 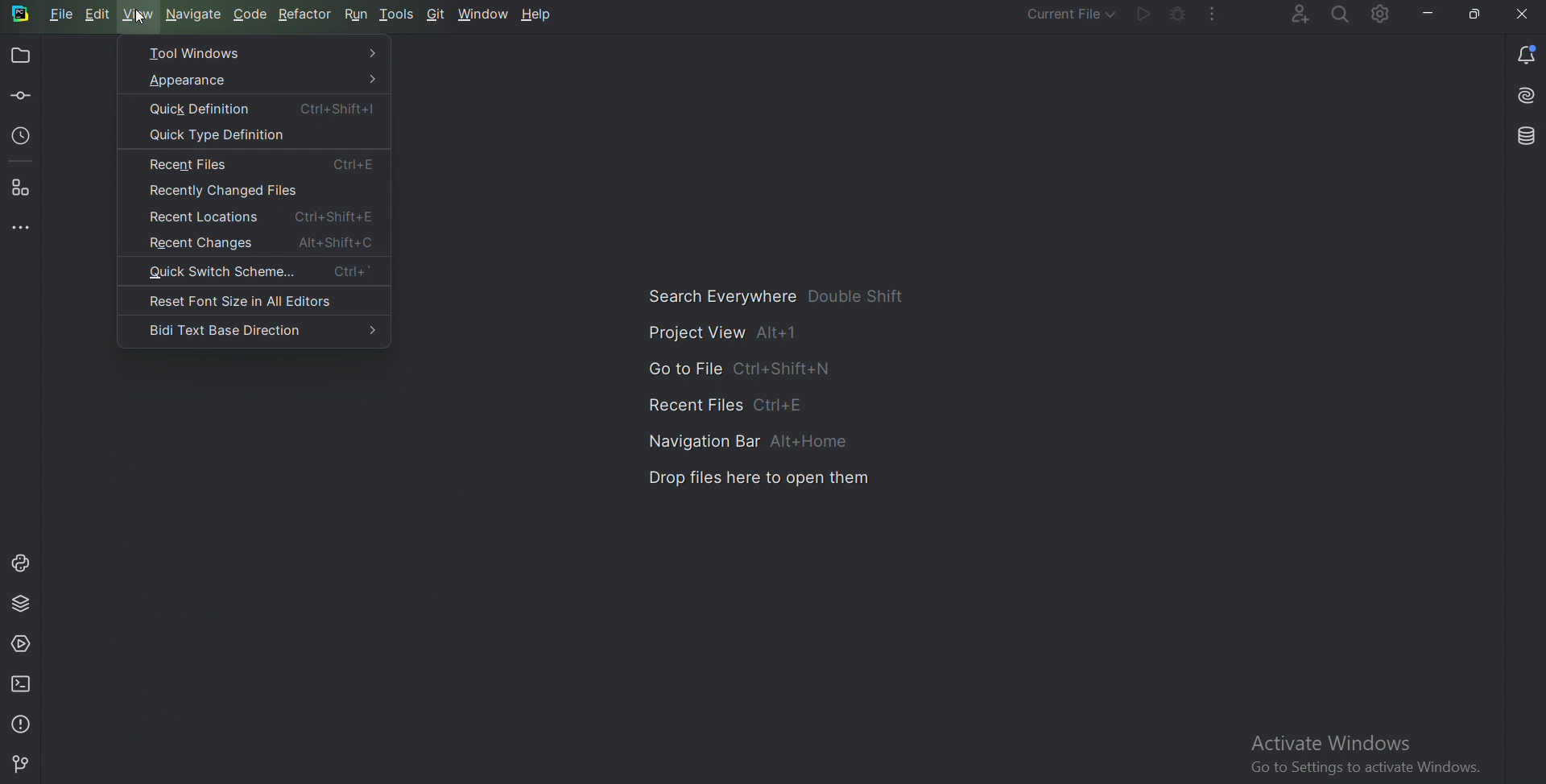 What do you see at coordinates (1066, 15) in the screenshot?
I see `Current file` at bounding box center [1066, 15].